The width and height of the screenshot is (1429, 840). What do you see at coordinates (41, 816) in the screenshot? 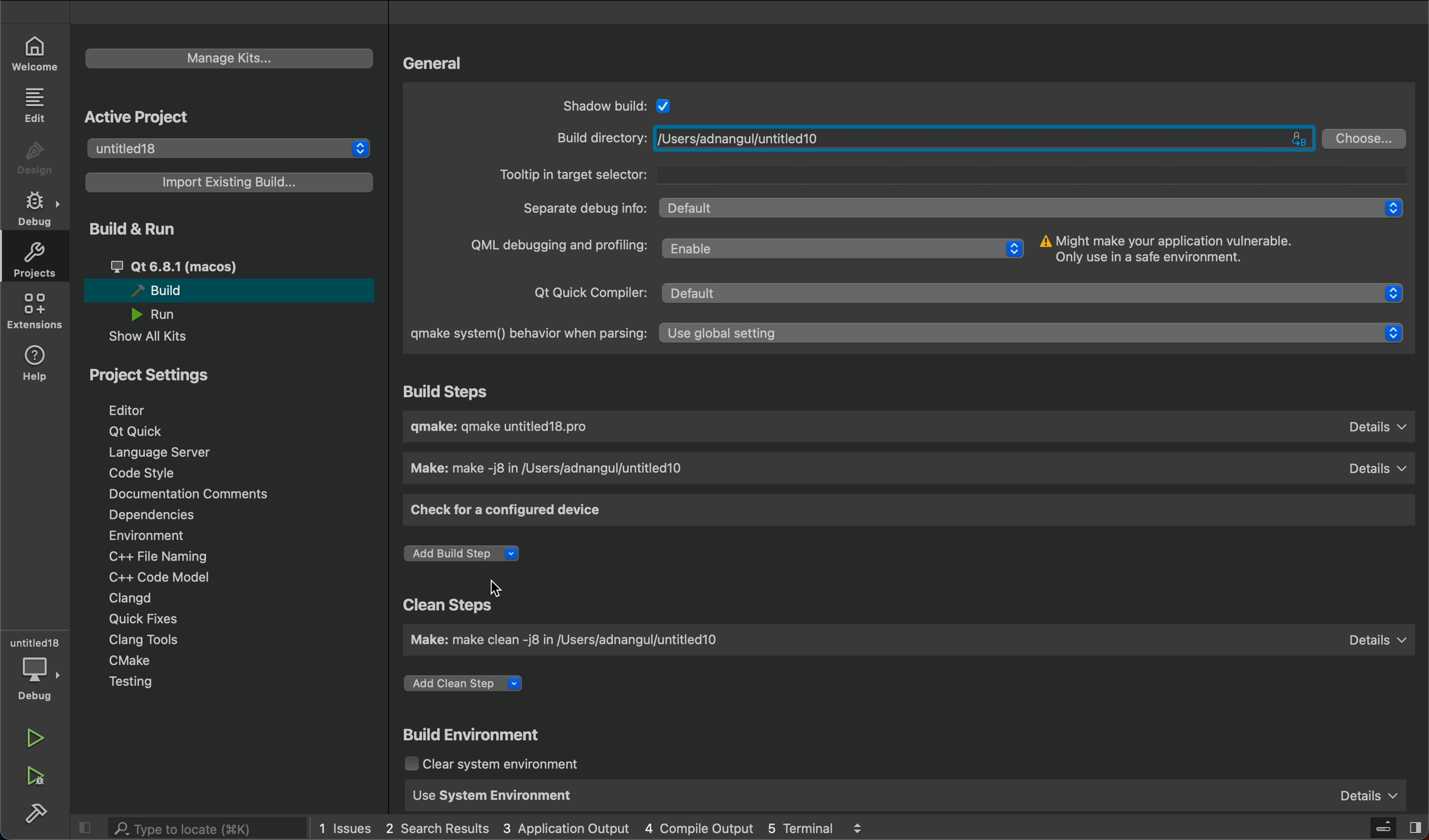
I see `build` at bounding box center [41, 816].